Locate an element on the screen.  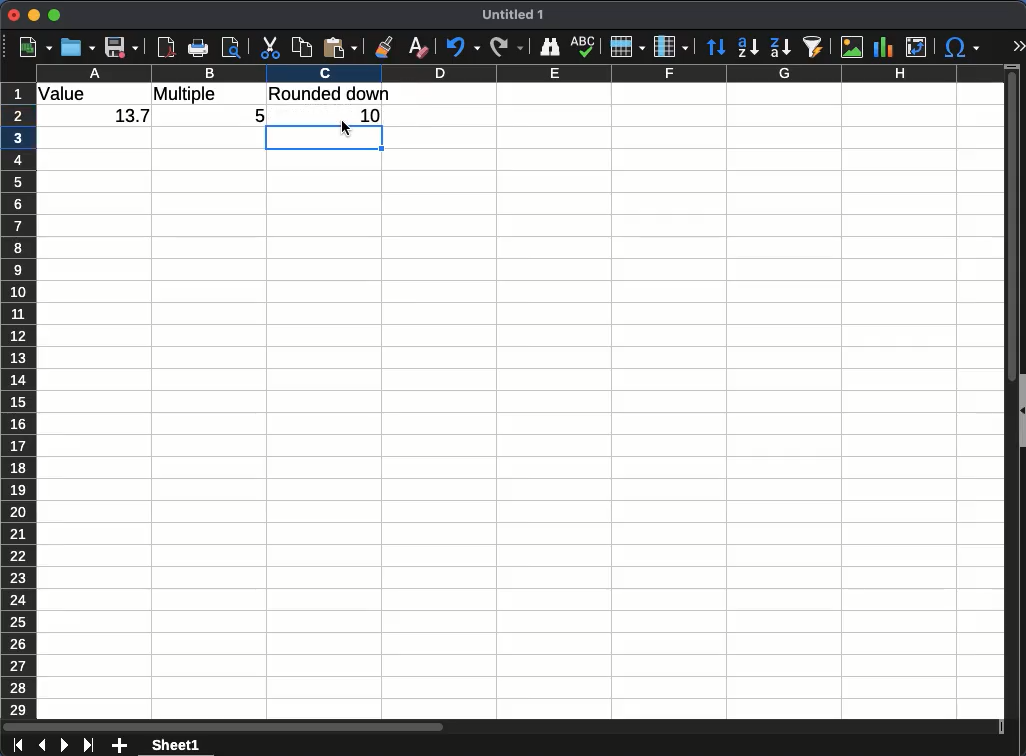
first sheet is located at coordinates (19, 746).